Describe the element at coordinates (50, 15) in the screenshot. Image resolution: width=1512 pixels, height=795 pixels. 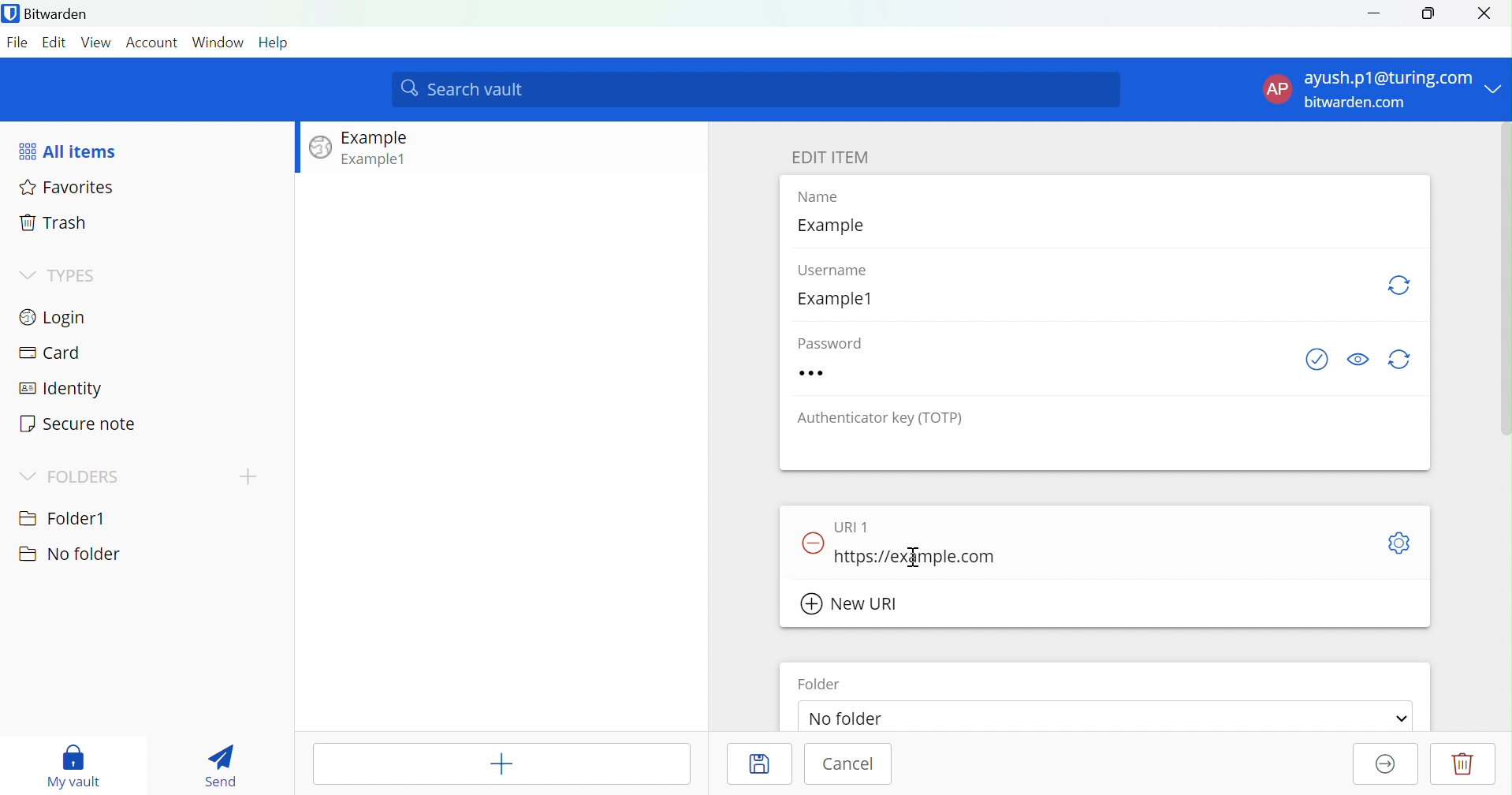
I see `Bitwarden` at that location.